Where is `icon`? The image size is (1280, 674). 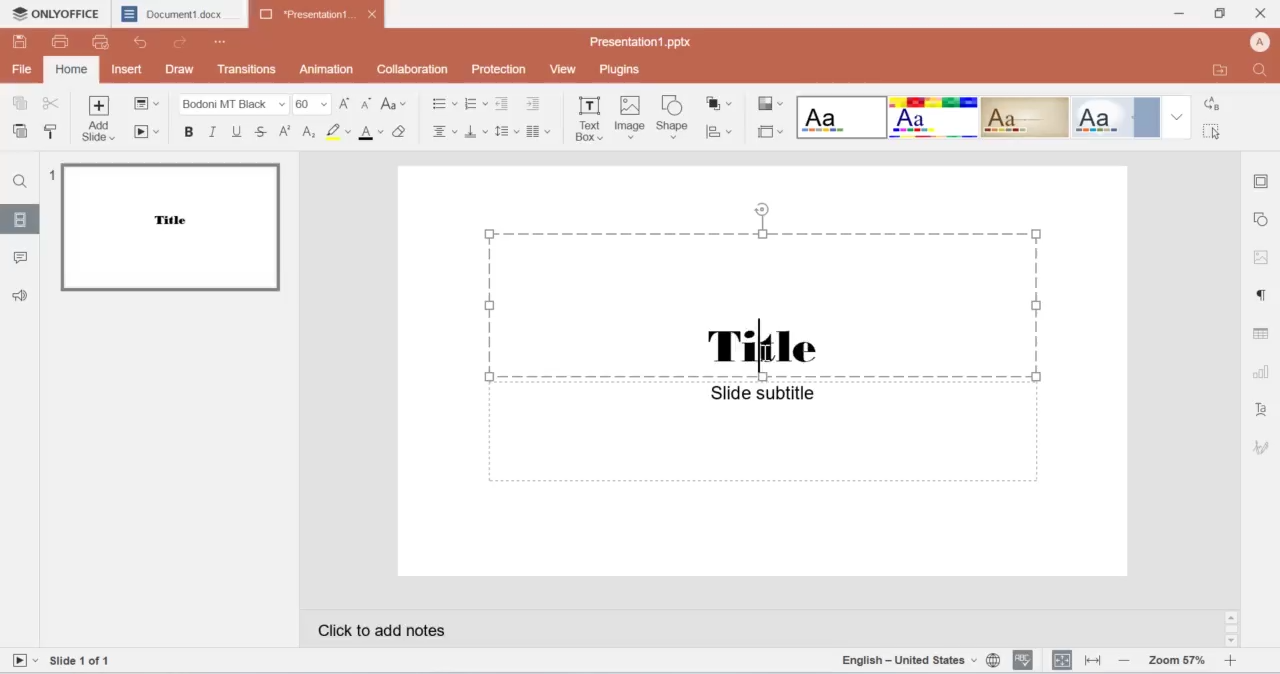
icon is located at coordinates (1262, 446).